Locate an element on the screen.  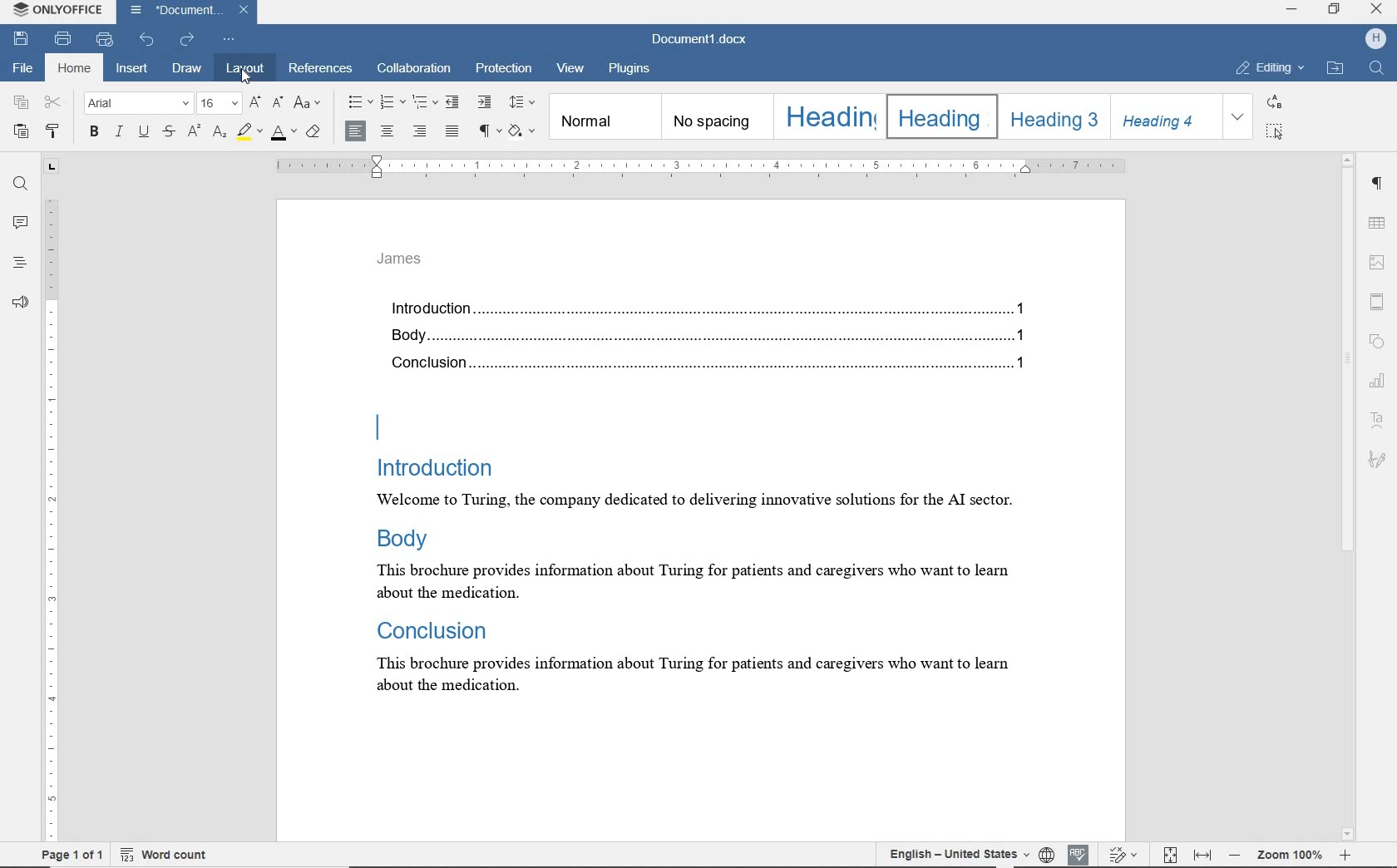
RESTORE DOWN is located at coordinates (1337, 11).